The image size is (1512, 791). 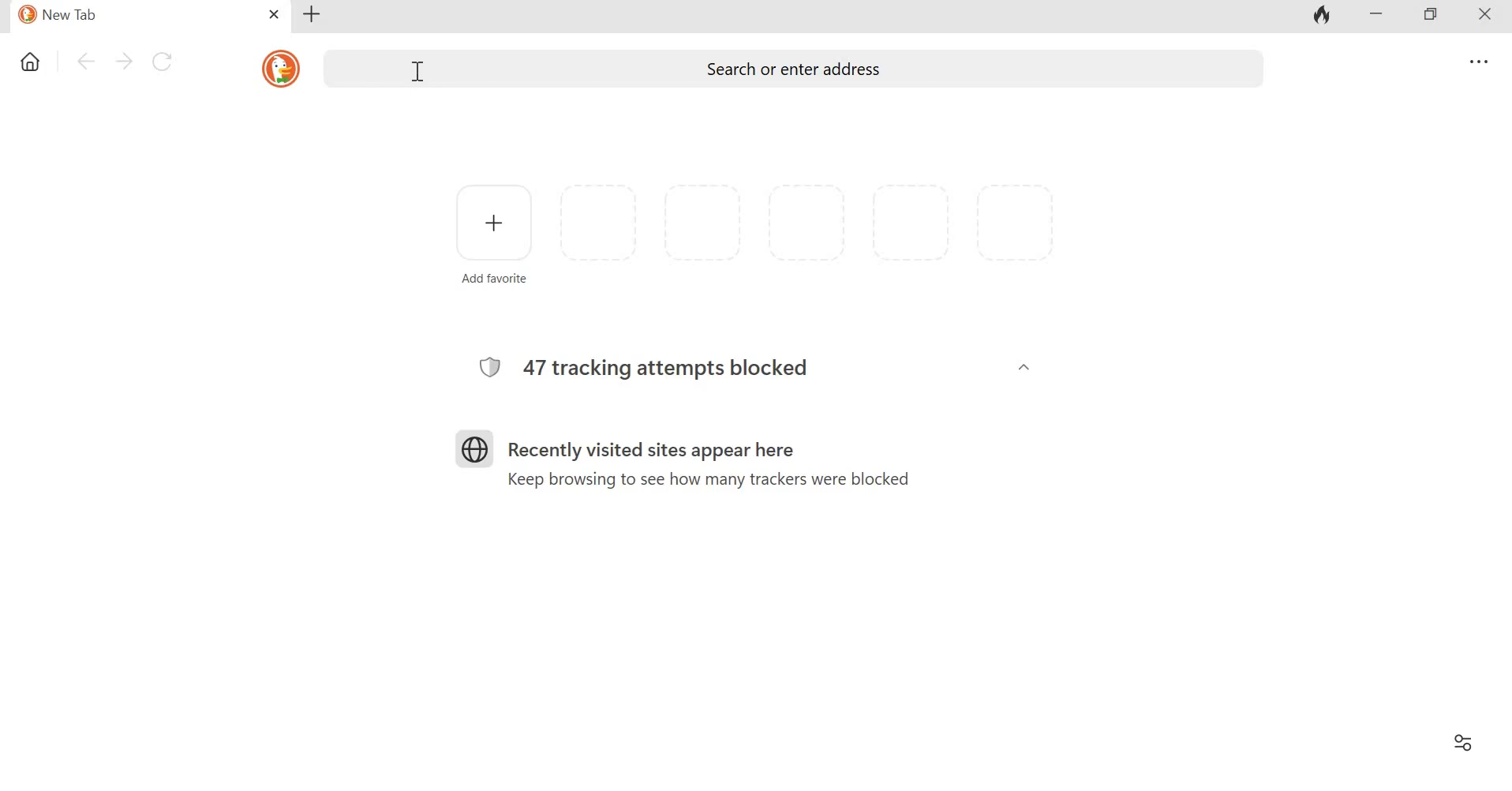 What do you see at coordinates (683, 370) in the screenshot?
I see `47 tracking attempts blocked` at bounding box center [683, 370].